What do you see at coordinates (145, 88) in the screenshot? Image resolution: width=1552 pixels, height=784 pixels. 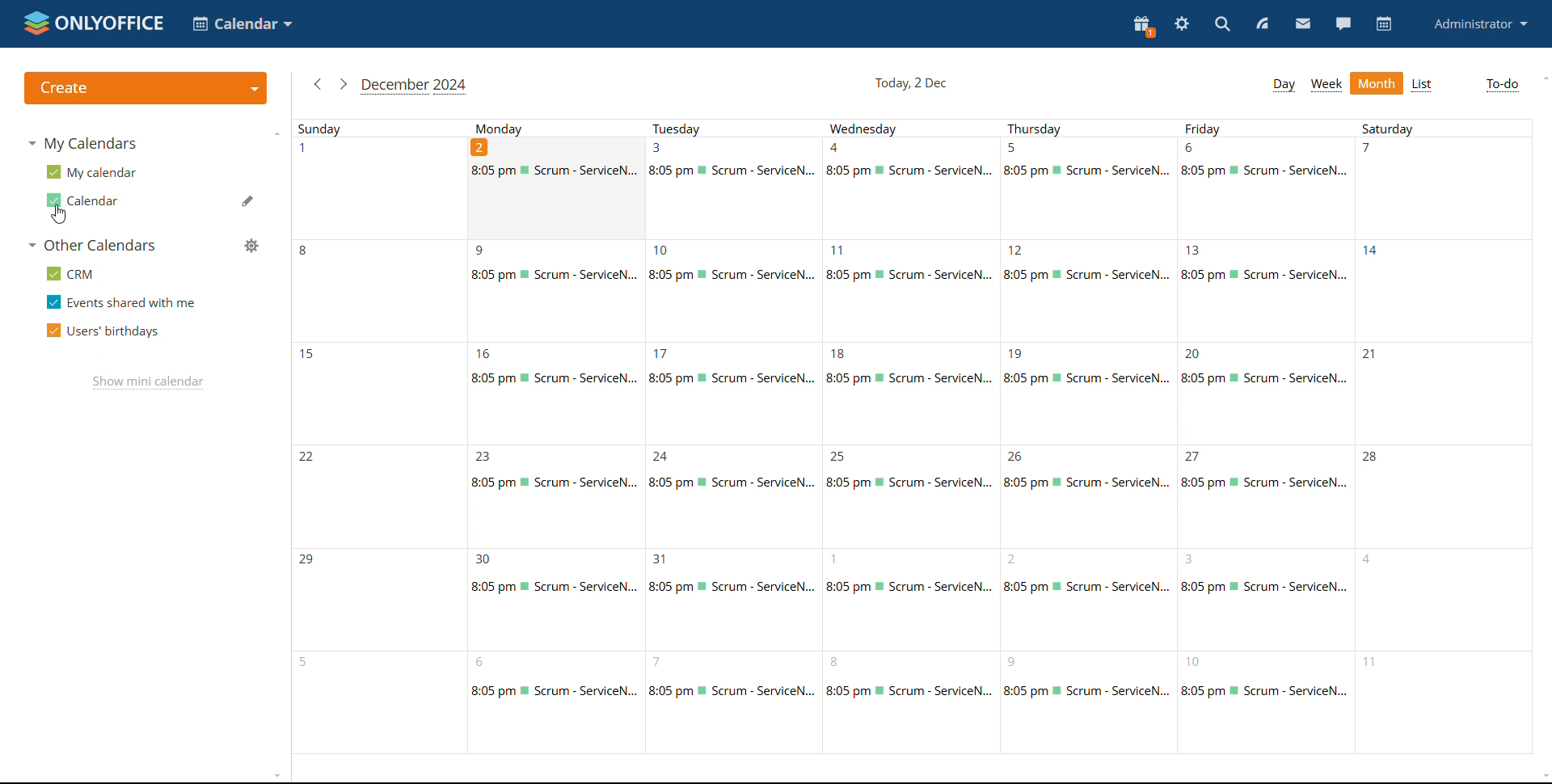 I see `create` at bounding box center [145, 88].